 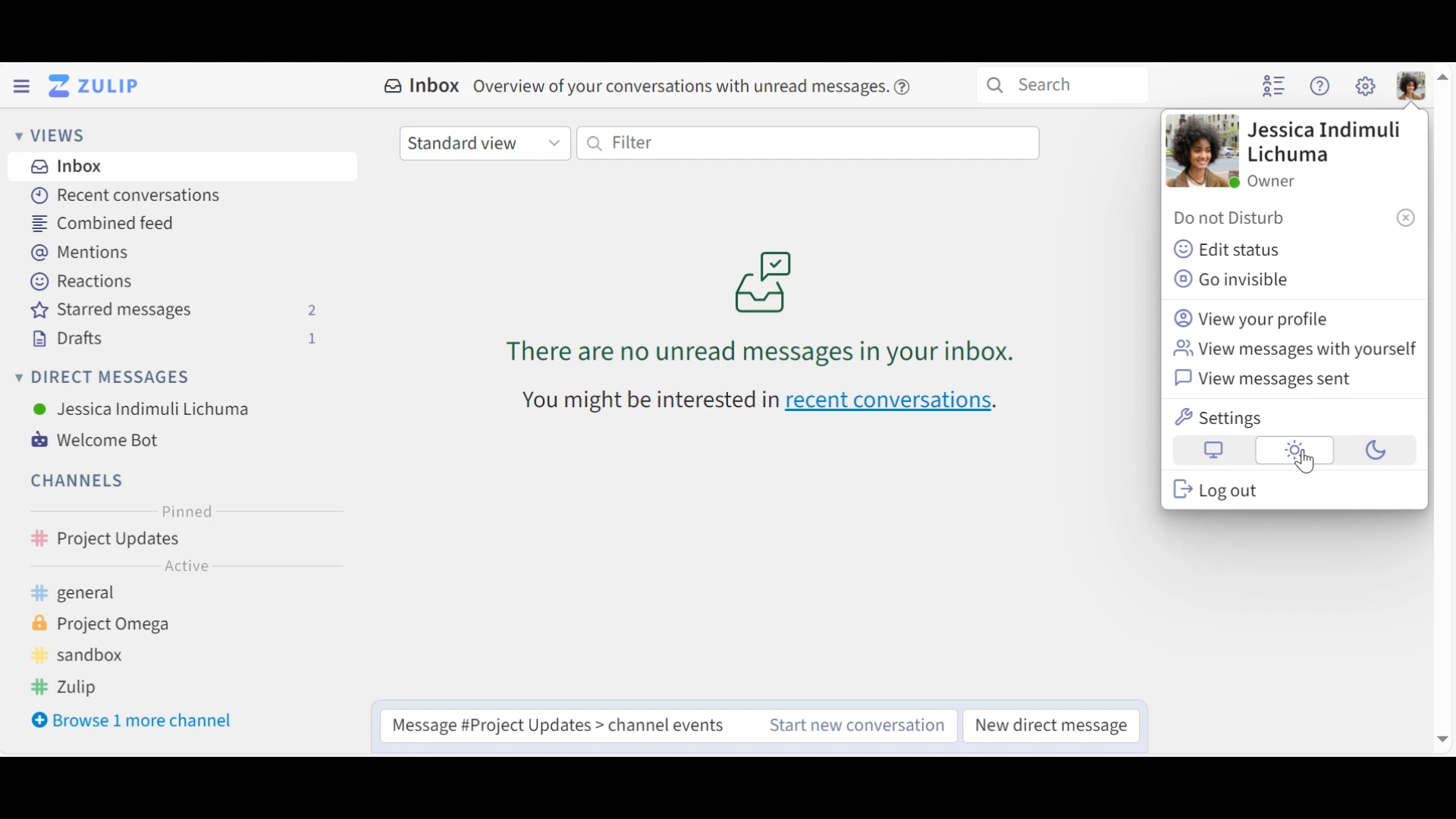 What do you see at coordinates (553, 726) in the screenshot?
I see `Message #Project Updates > channel events` at bounding box center [553, 726].